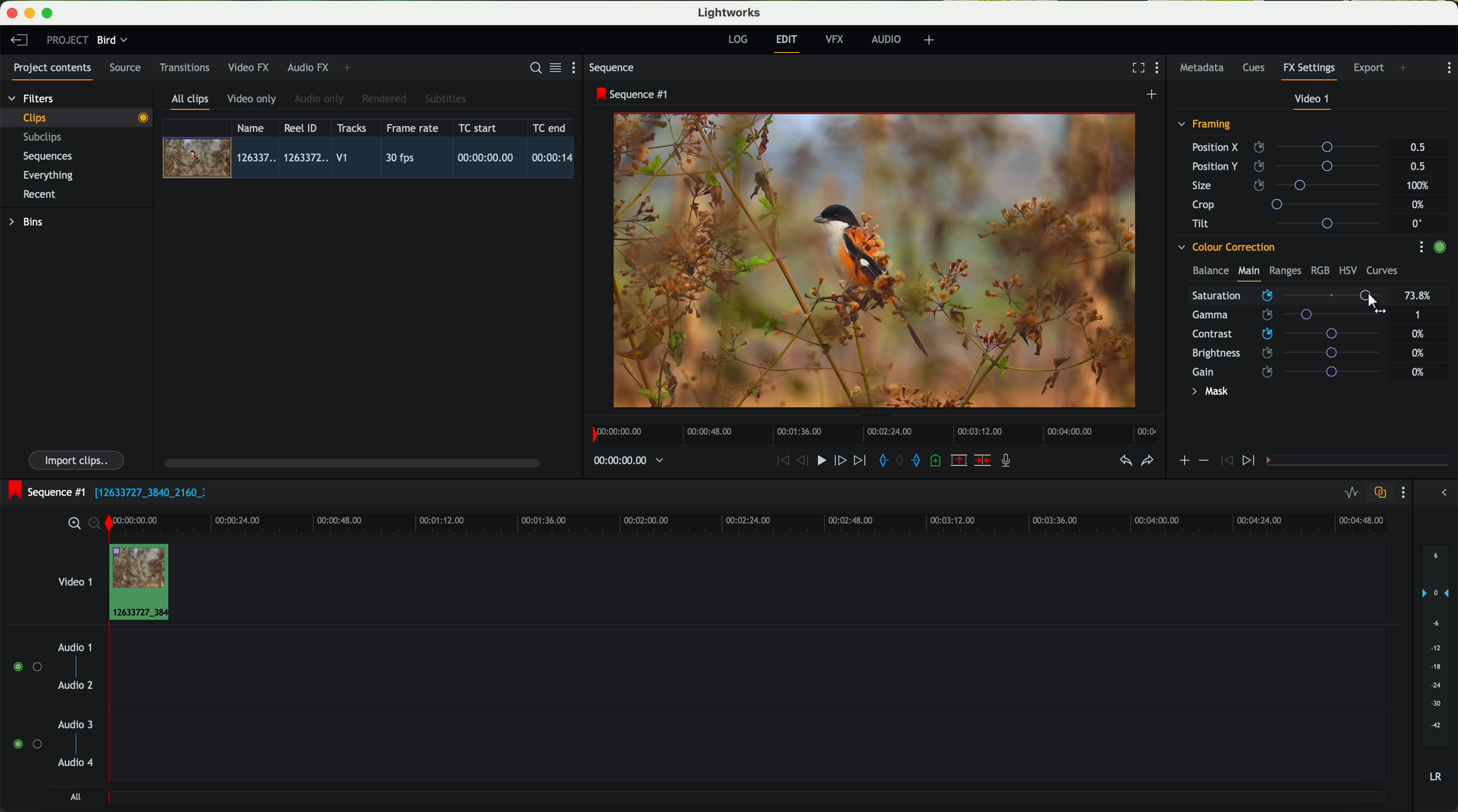 This screenshot has width=1458, height=812. Describe the element at coordinates (76, 763) in the screenshot. I see `audio 4` at that location.